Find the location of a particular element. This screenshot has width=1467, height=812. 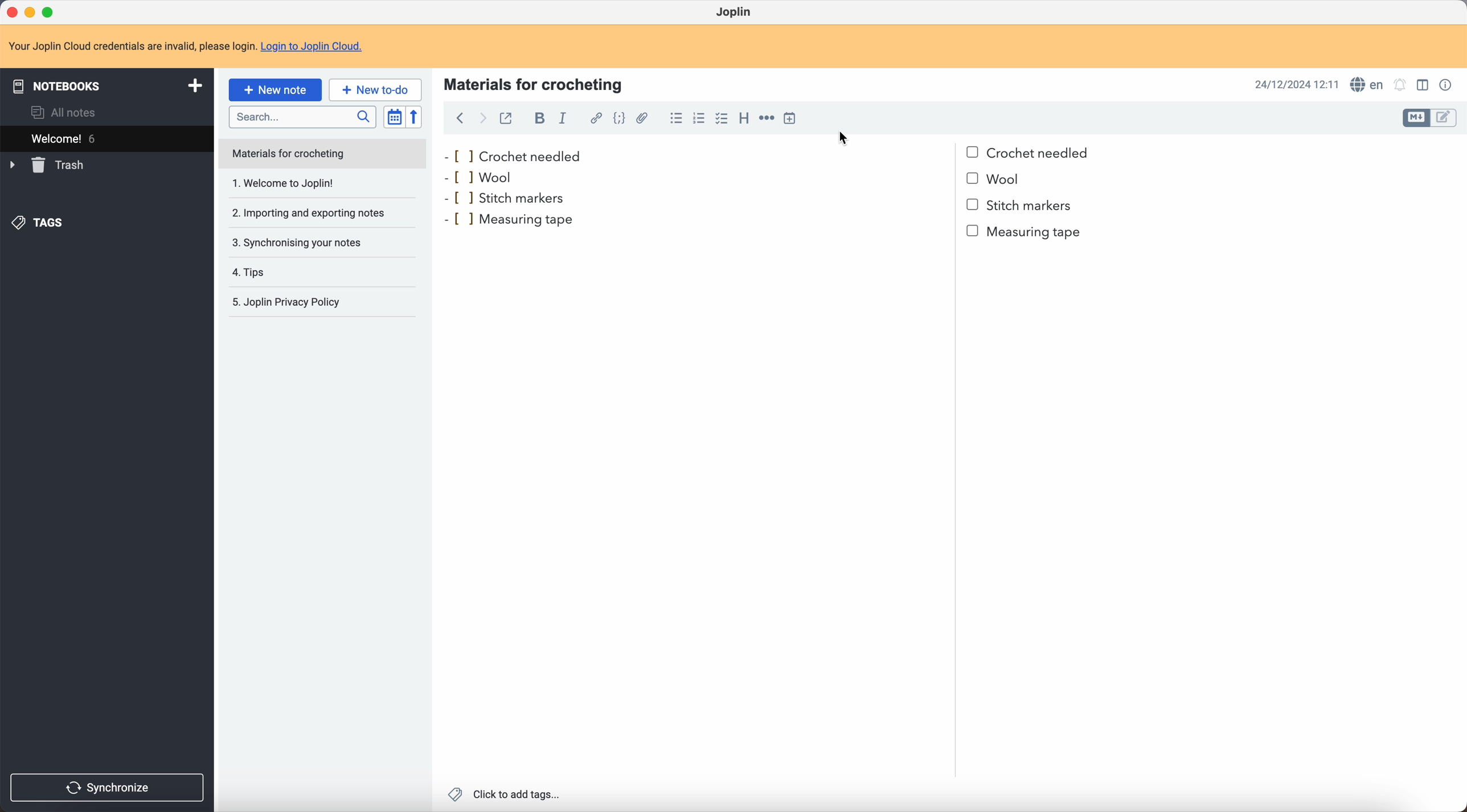

importing and exporting notes is located at coordinates (315, 212).